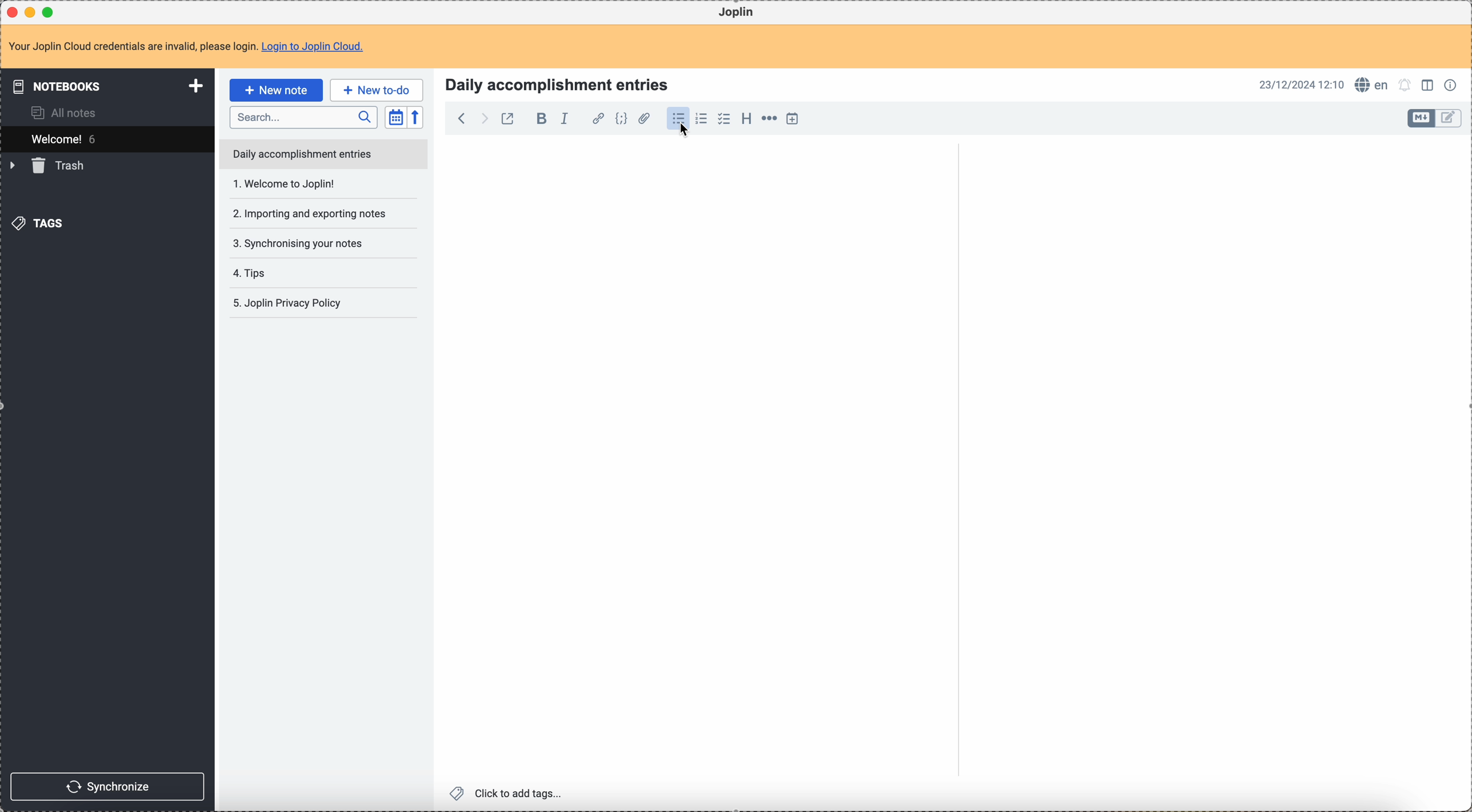 This screenshot has height=812, width=1472. I want to click on reverse sort order, so click(415, 117).